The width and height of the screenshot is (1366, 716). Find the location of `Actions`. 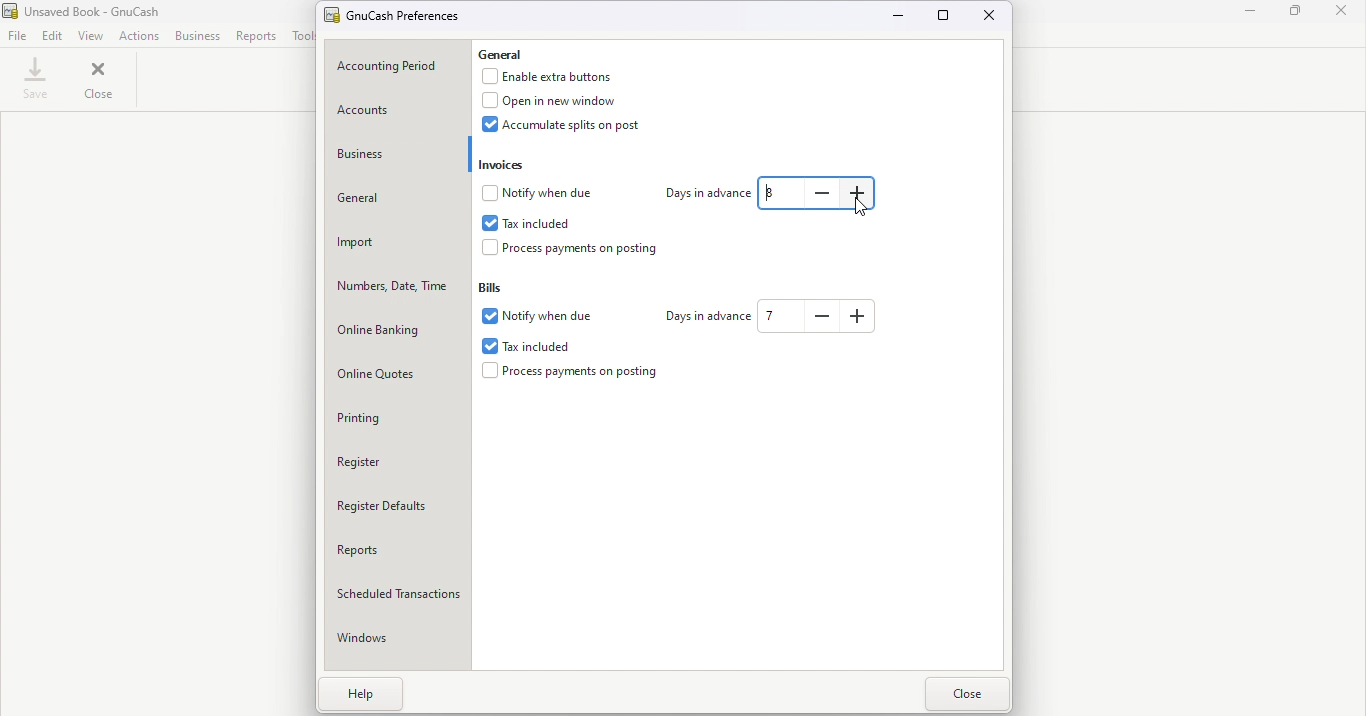

Actions is located at coordinates (138, 36).